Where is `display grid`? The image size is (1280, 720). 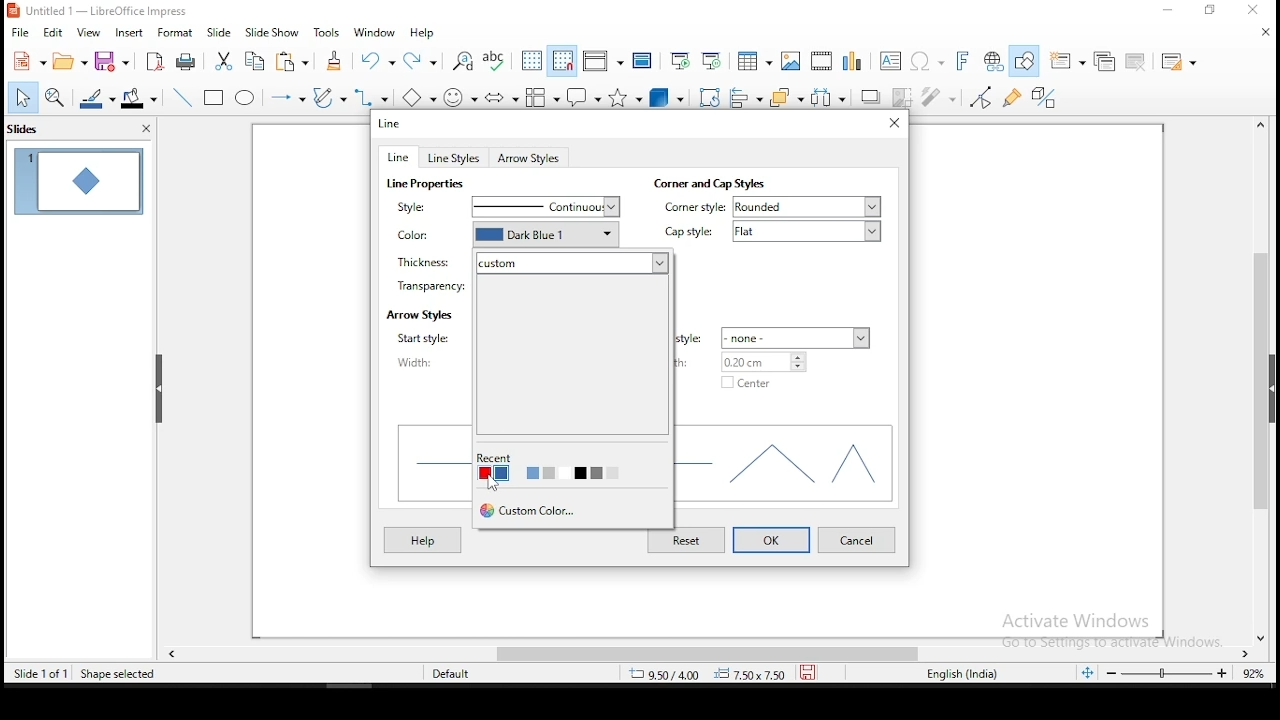
display grid is located at coordinates (532, 61).